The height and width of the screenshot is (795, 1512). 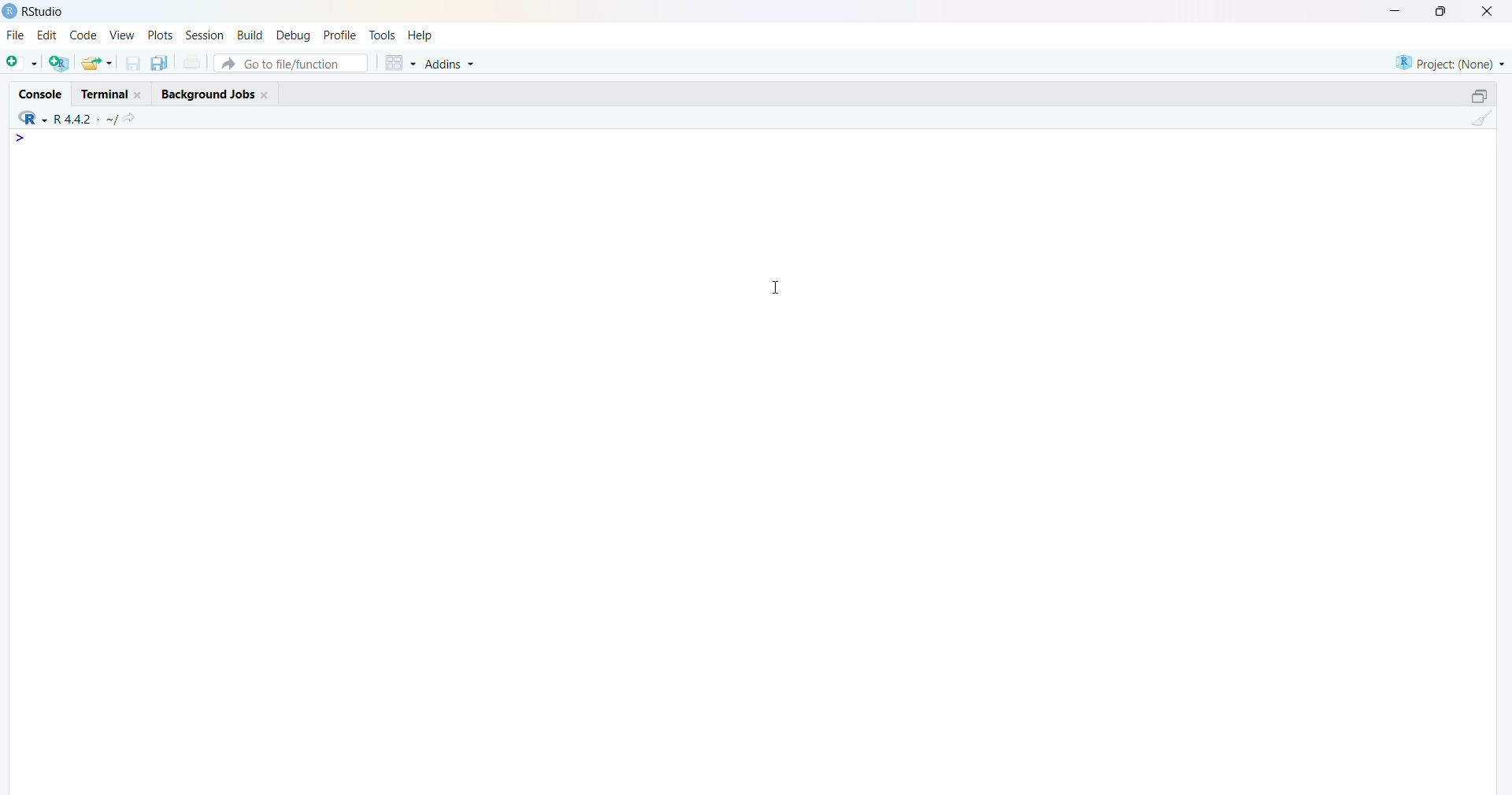 I want to click on view, so click(x=122, y=34).